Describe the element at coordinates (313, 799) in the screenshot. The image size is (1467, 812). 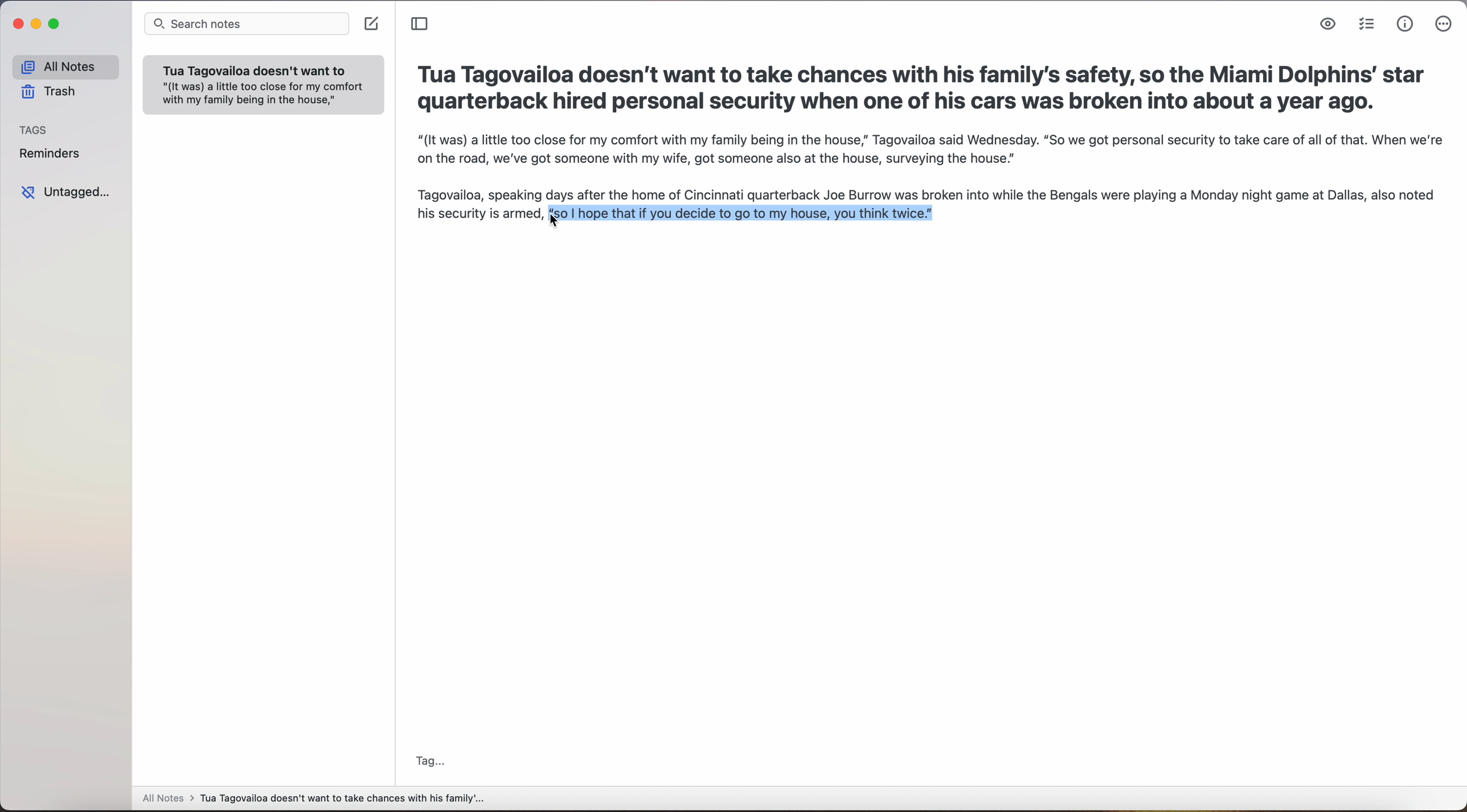
I see `all notes > Tua Tagovailoa doesn't want to take chances with his family'...` at that location.